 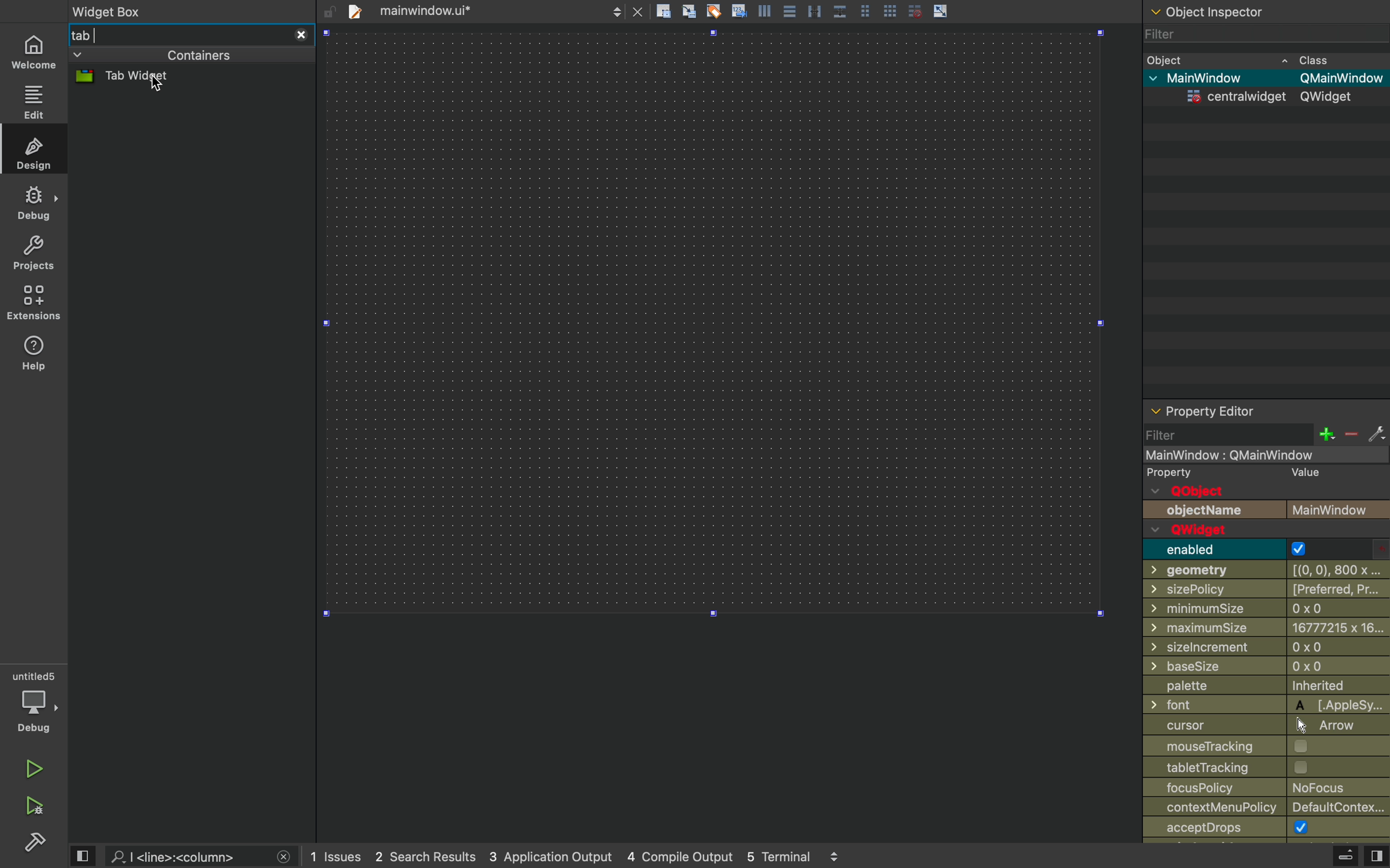 I want to click on view, so click(x=1376, y=857).